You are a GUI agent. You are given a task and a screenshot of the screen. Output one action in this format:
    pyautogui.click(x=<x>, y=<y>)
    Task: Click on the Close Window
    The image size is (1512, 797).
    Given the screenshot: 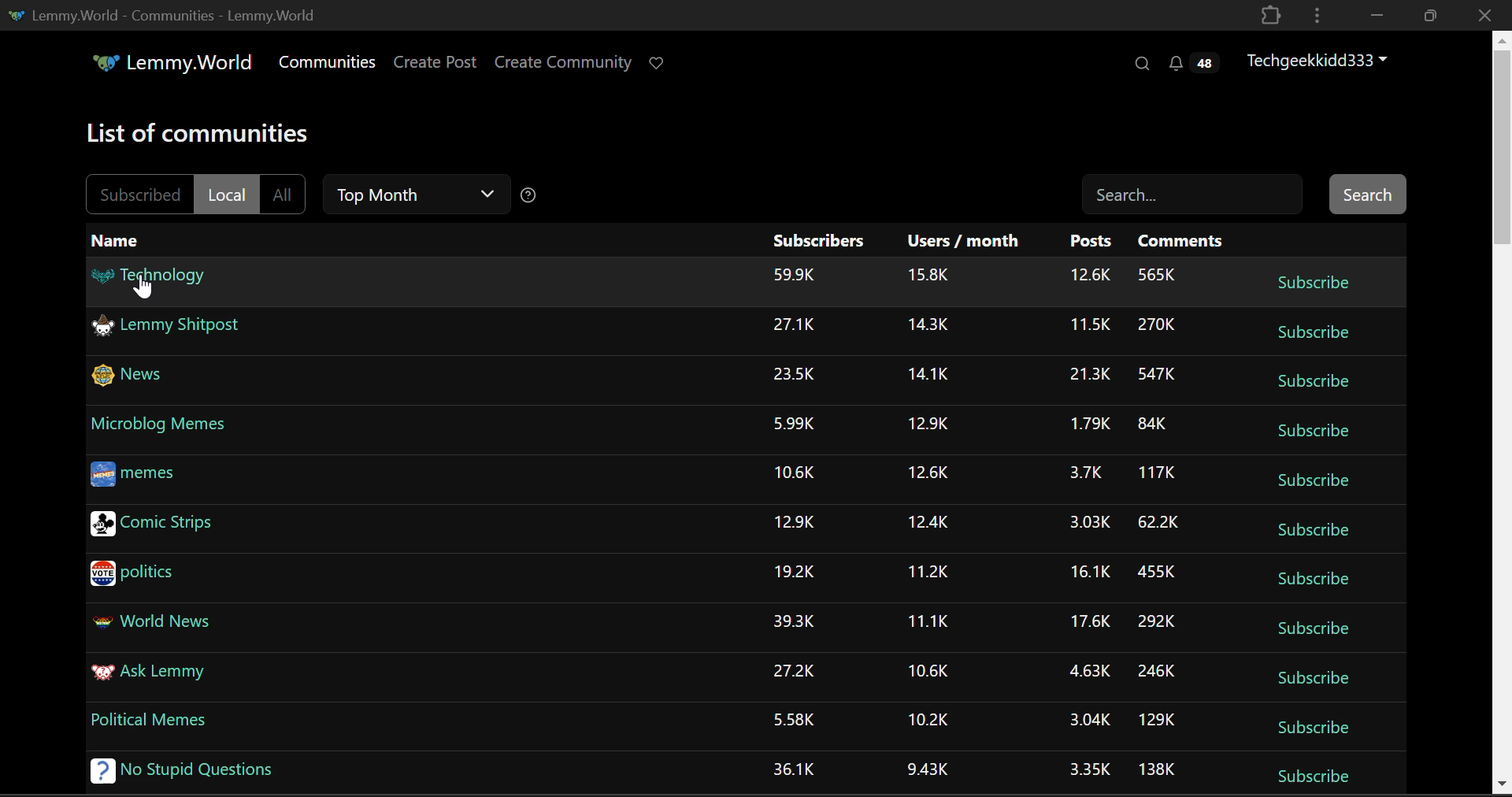 What is the action you would take?
    pyautogui.click(x=1487, y=14)
    